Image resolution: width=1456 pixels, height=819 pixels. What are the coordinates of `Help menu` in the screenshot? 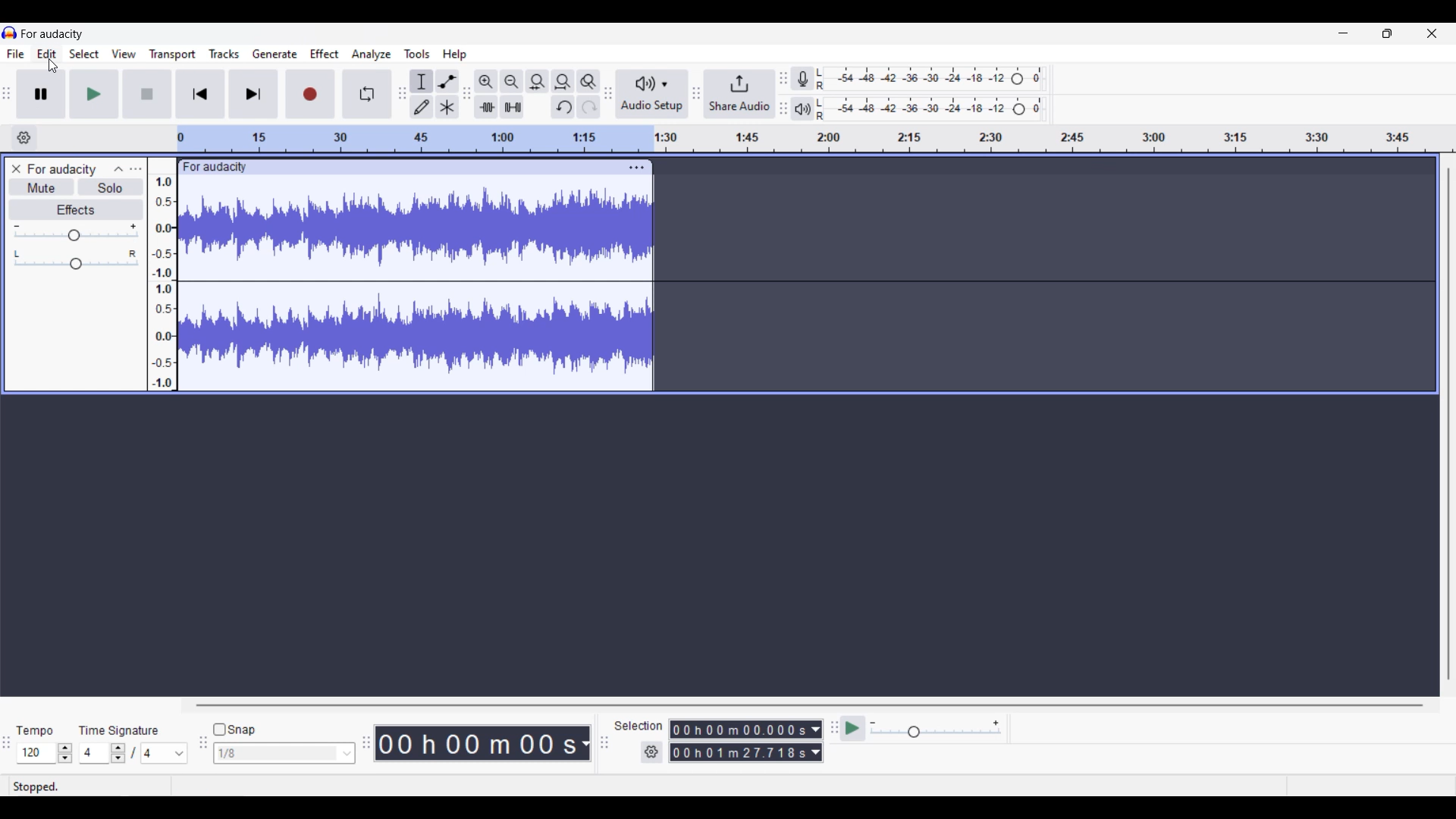 It's located at (455, 55).